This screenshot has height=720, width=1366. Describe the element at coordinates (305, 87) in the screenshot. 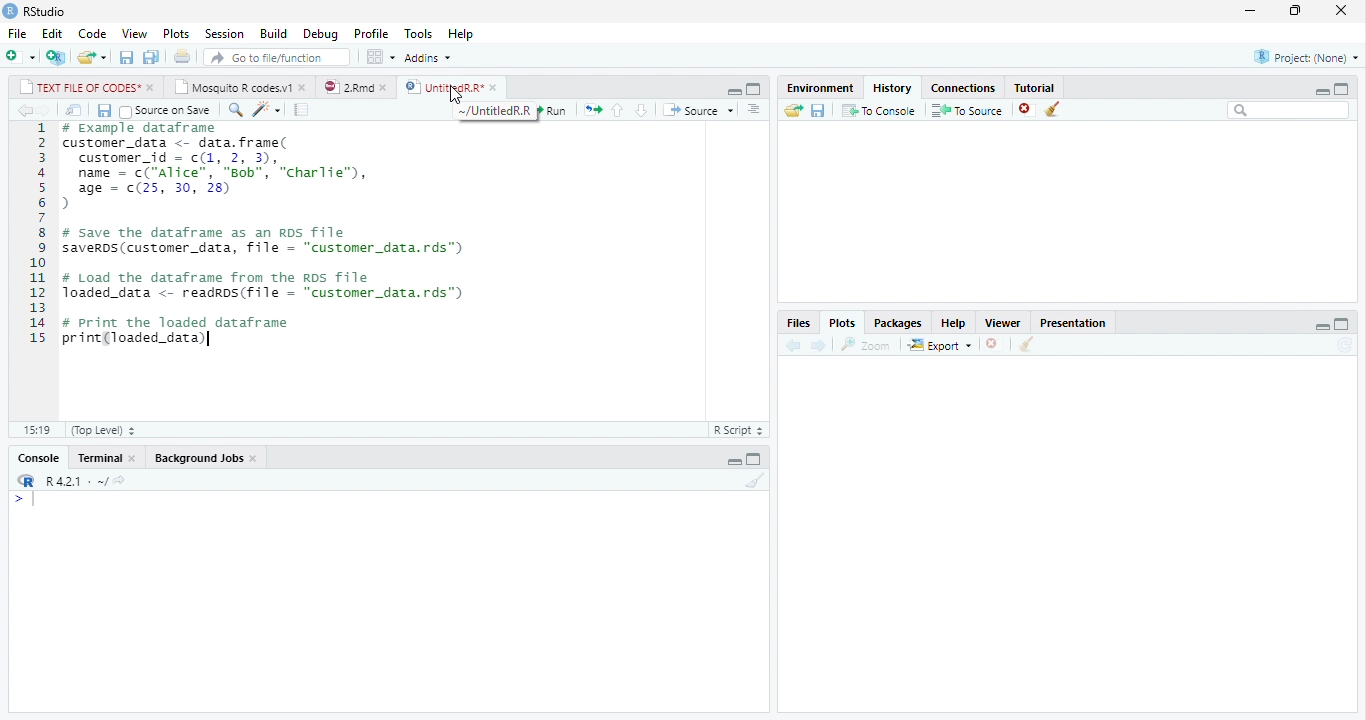

I see `close` at that location.